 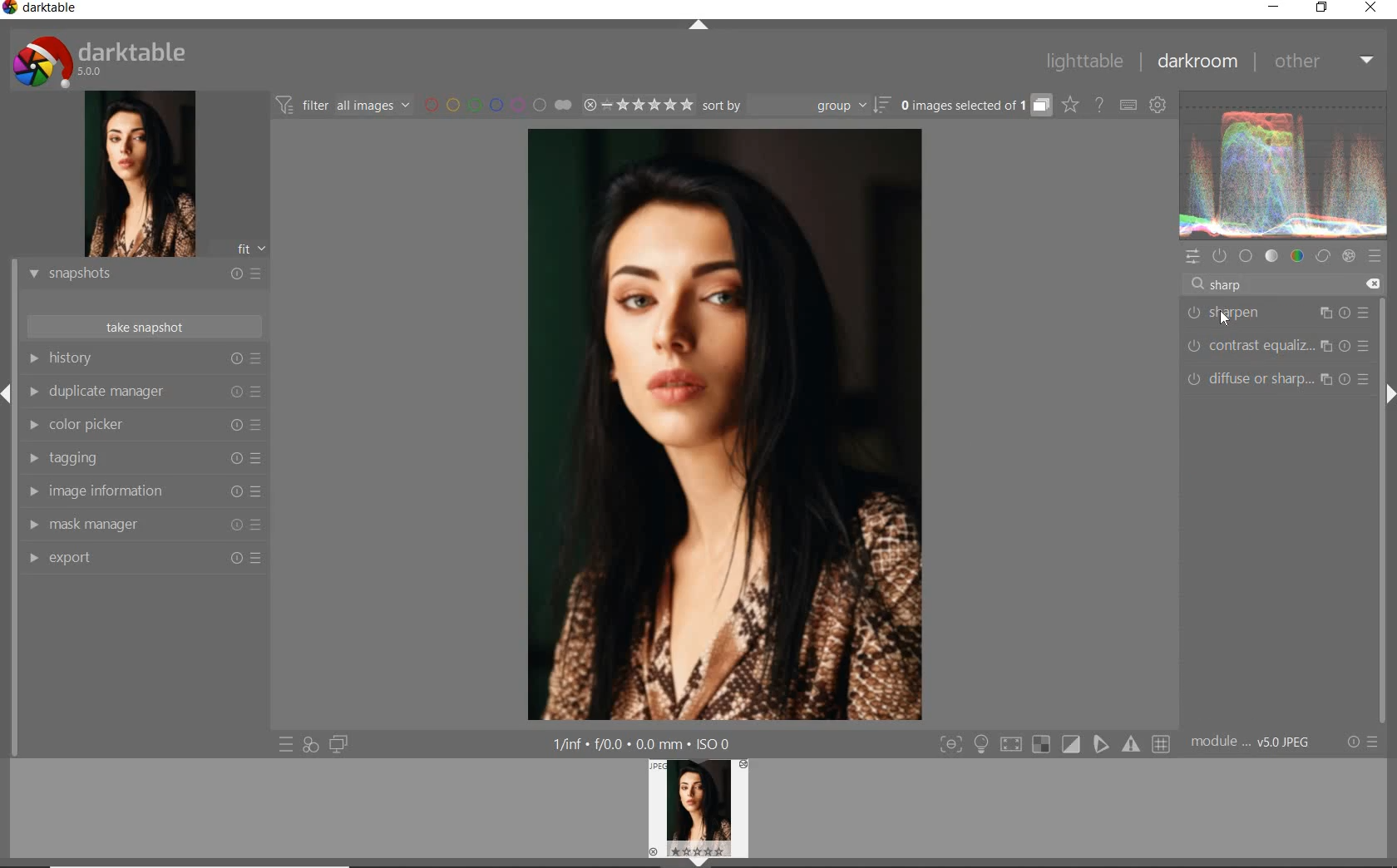 What do you see at coordinates (99, 61) in the screenshot?
I see `Darktable 5.0.0` at bounding box center [99, 61].